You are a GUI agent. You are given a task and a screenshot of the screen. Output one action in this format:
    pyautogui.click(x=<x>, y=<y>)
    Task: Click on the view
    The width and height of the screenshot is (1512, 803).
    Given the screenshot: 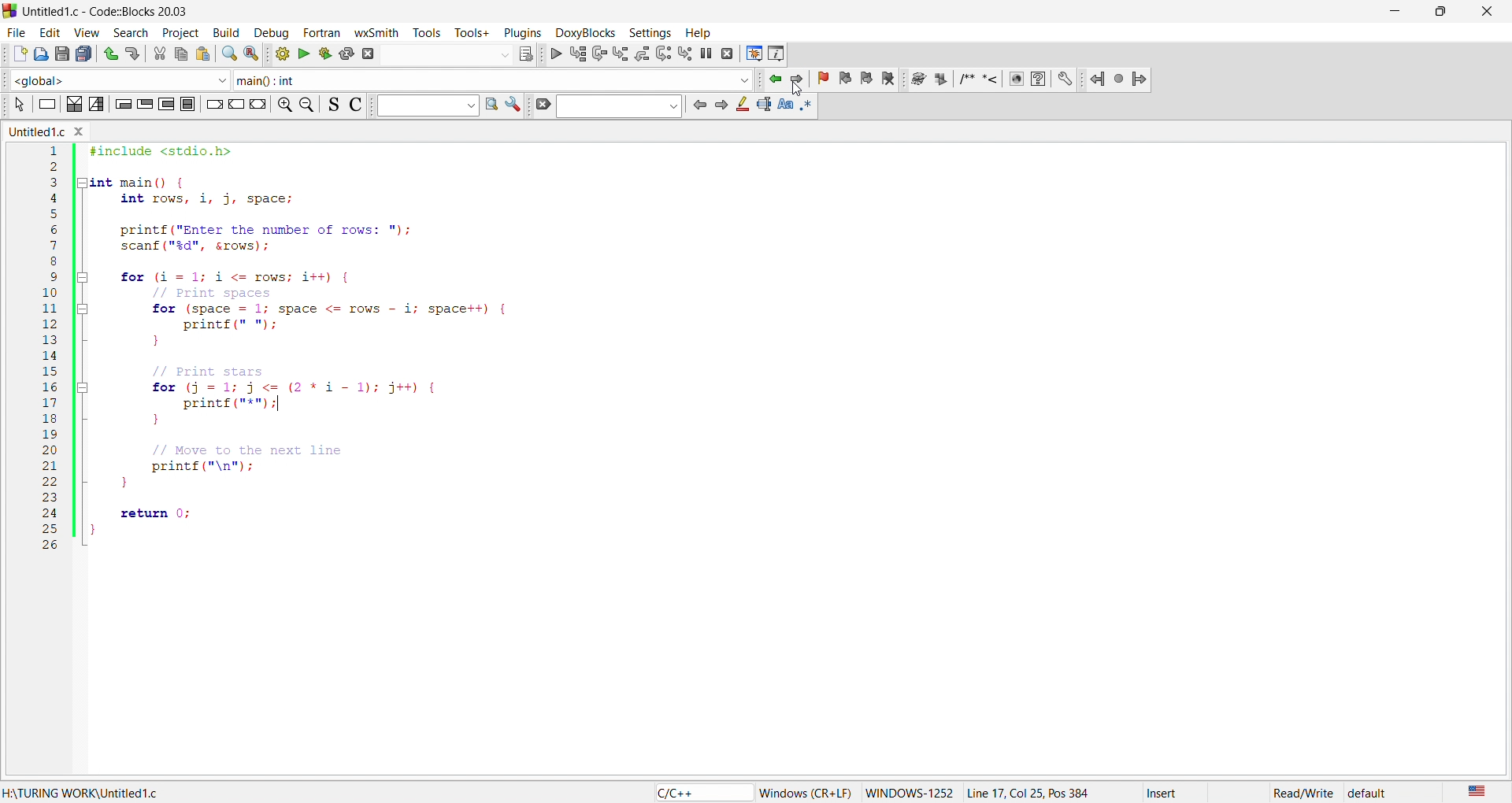 What is the action you would take?
    pyautogui.click(x=83, y=31)
    